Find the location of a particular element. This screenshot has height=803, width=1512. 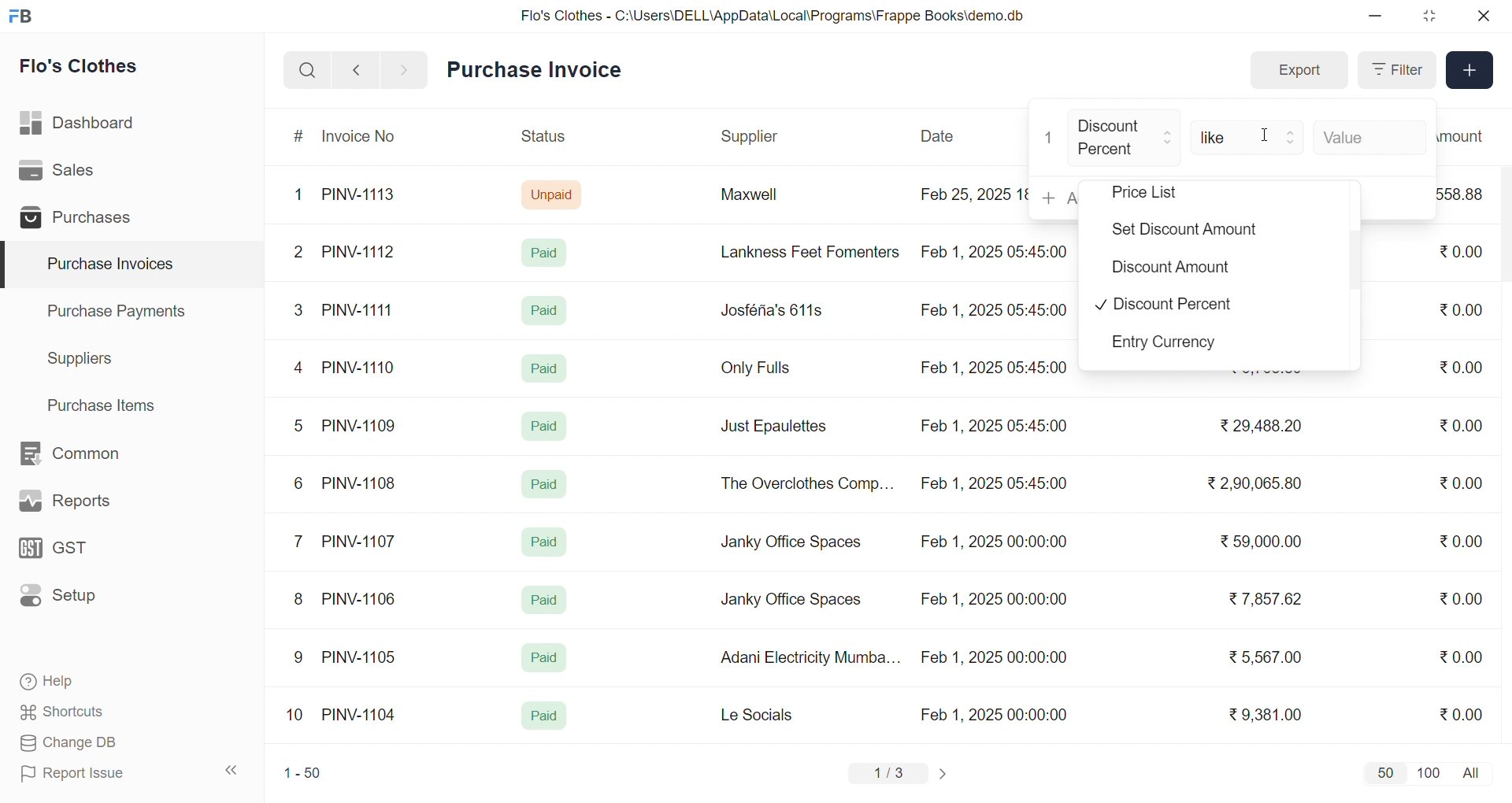

PINV-1108 is located at coordinates (360, 483).